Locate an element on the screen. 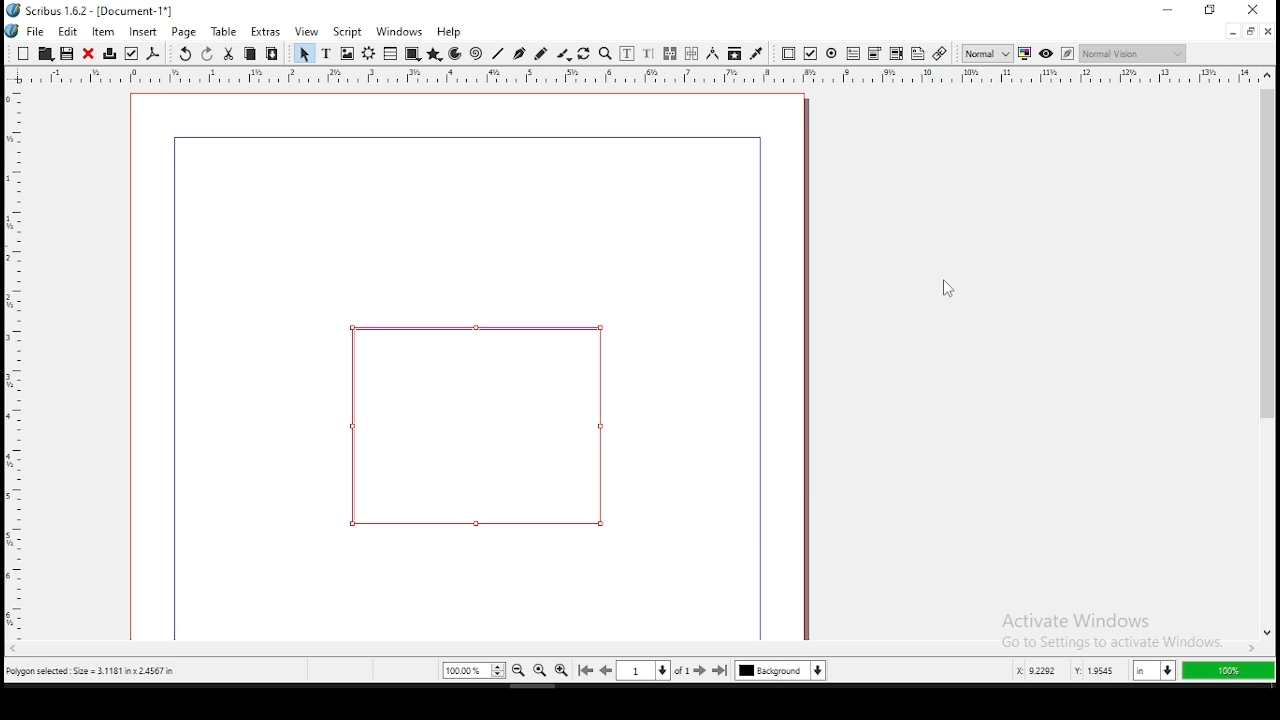 The height and width of the screenshot is (720, 1280). calligraphy line is located at coordinates (564, 54).